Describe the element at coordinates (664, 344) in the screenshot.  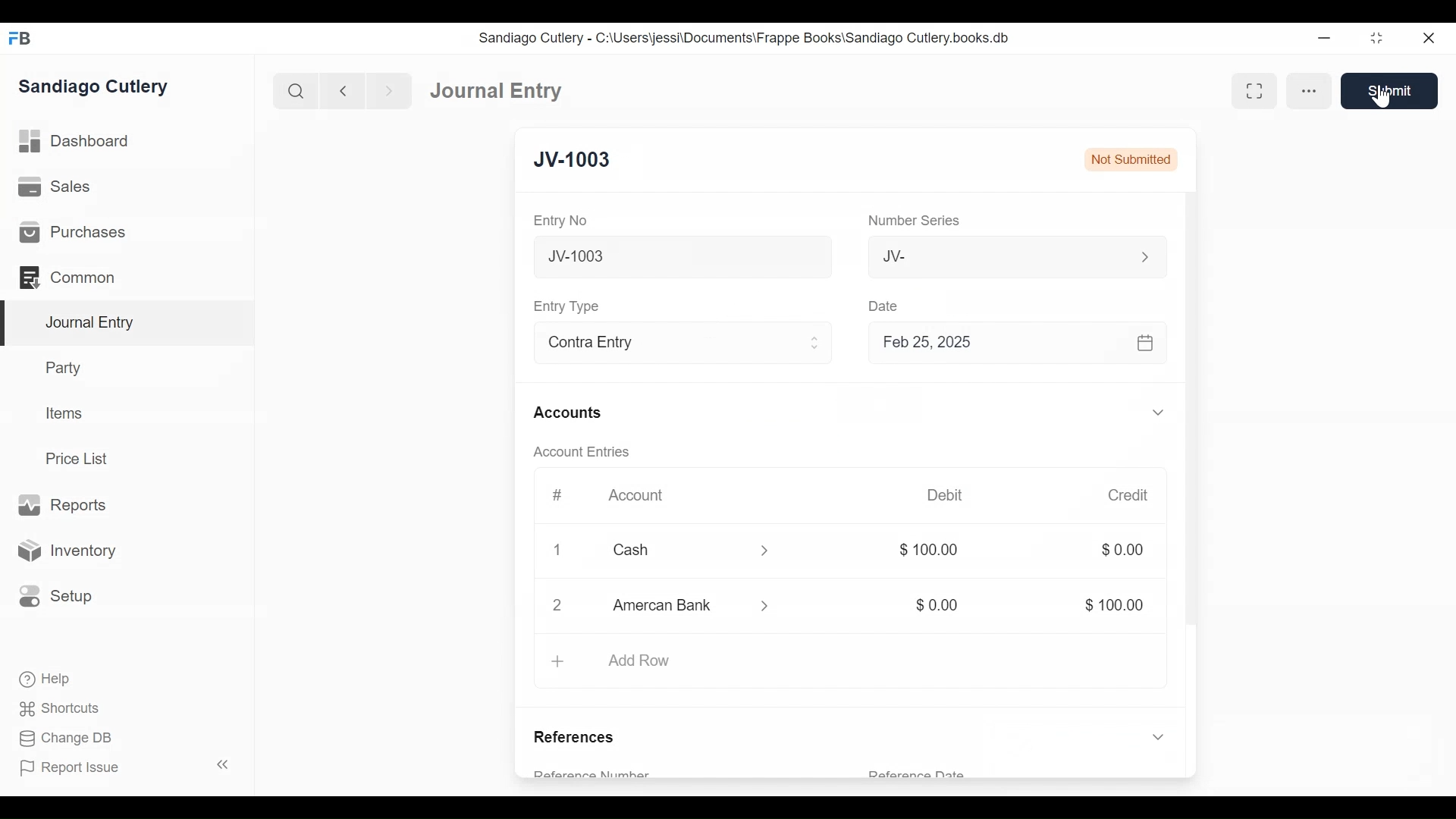
I see `Contra Entry` at that location.